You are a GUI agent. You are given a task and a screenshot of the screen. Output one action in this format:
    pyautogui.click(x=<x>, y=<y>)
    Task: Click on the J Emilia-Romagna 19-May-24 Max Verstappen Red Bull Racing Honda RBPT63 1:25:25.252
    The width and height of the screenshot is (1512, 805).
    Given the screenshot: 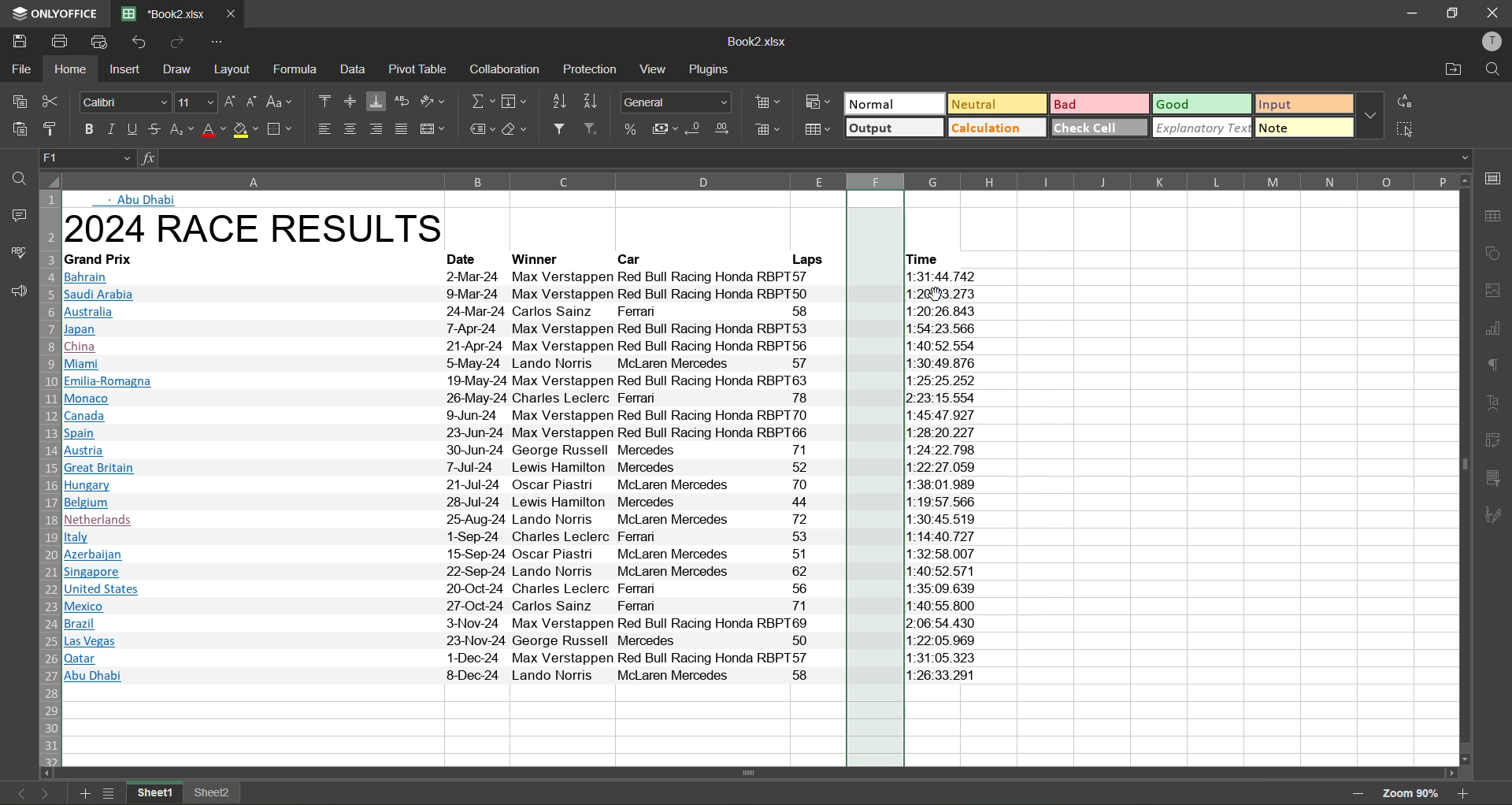 What is the action you would take?
    pyautogui.click(x=447, y=381)
    